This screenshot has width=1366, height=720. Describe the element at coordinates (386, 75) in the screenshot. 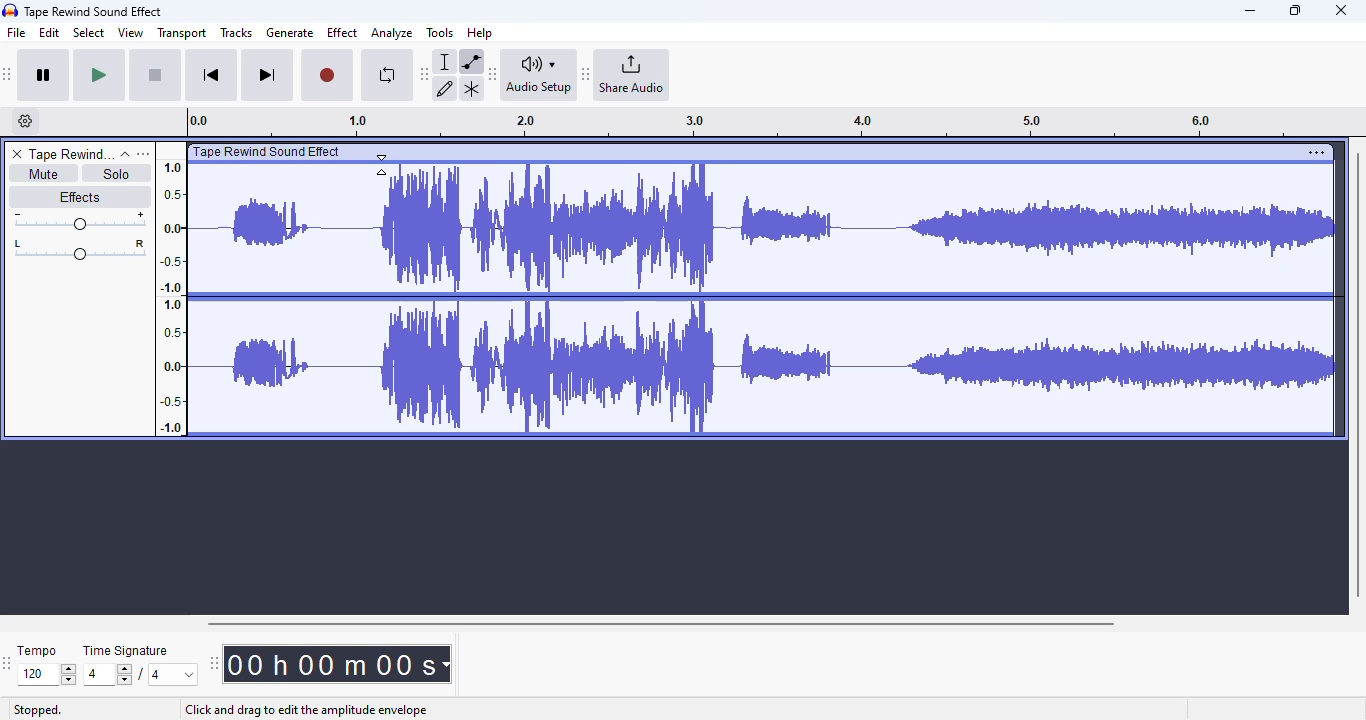

I see `enable looping` at that location.